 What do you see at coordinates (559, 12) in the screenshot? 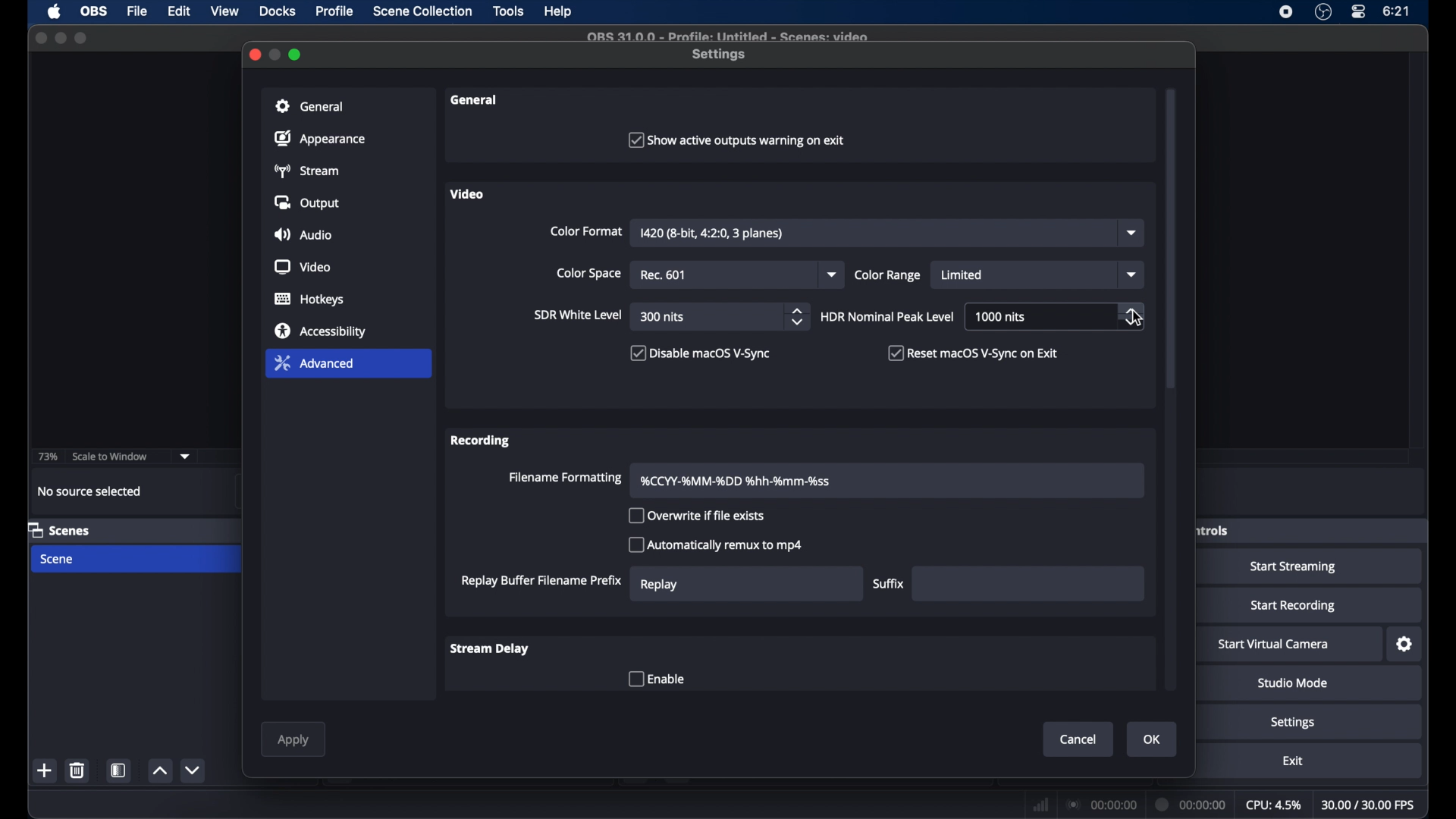
I see `help` at bounding box center [559, 12].